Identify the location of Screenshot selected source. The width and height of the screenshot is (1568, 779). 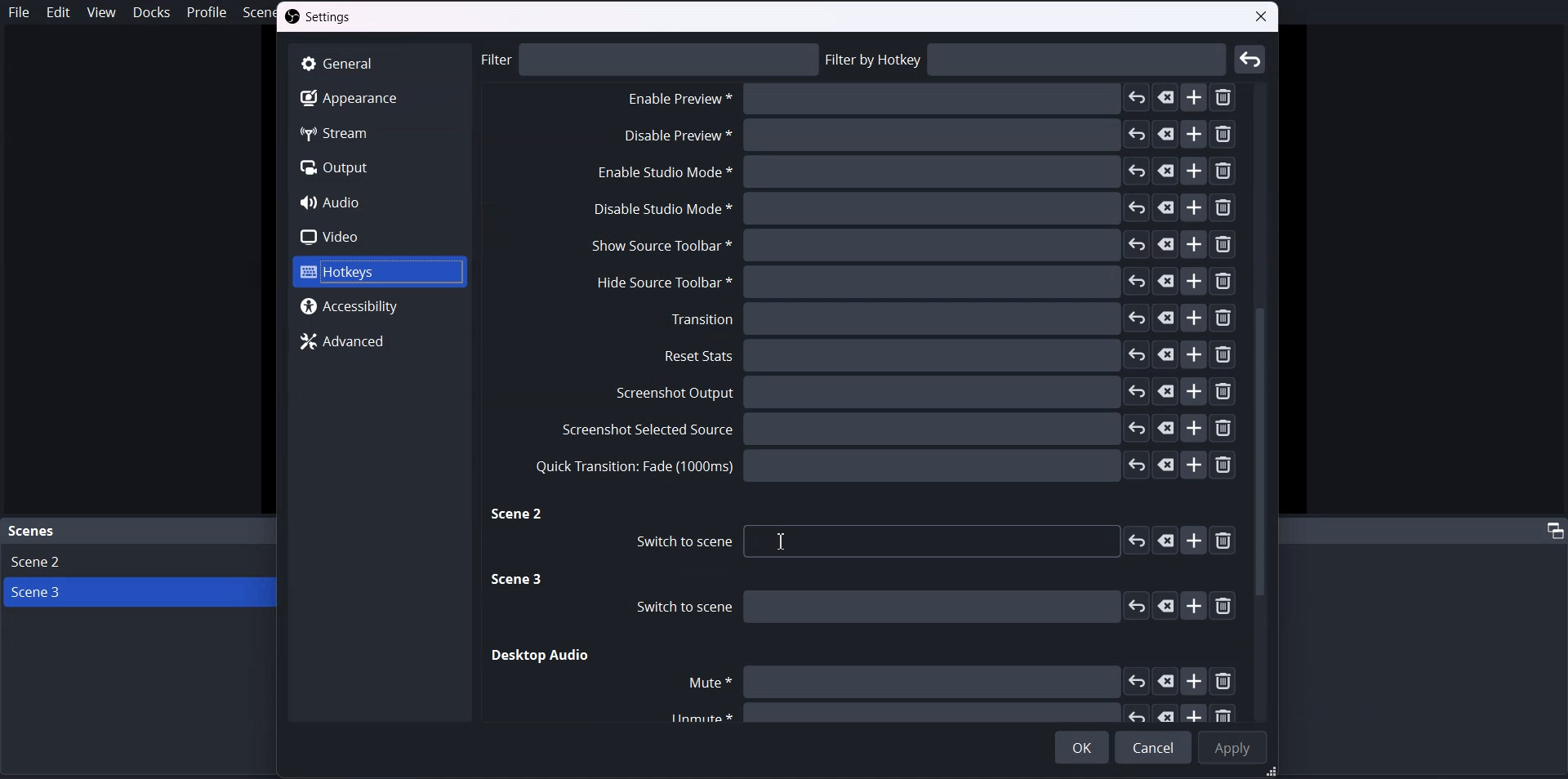
(895, 428).